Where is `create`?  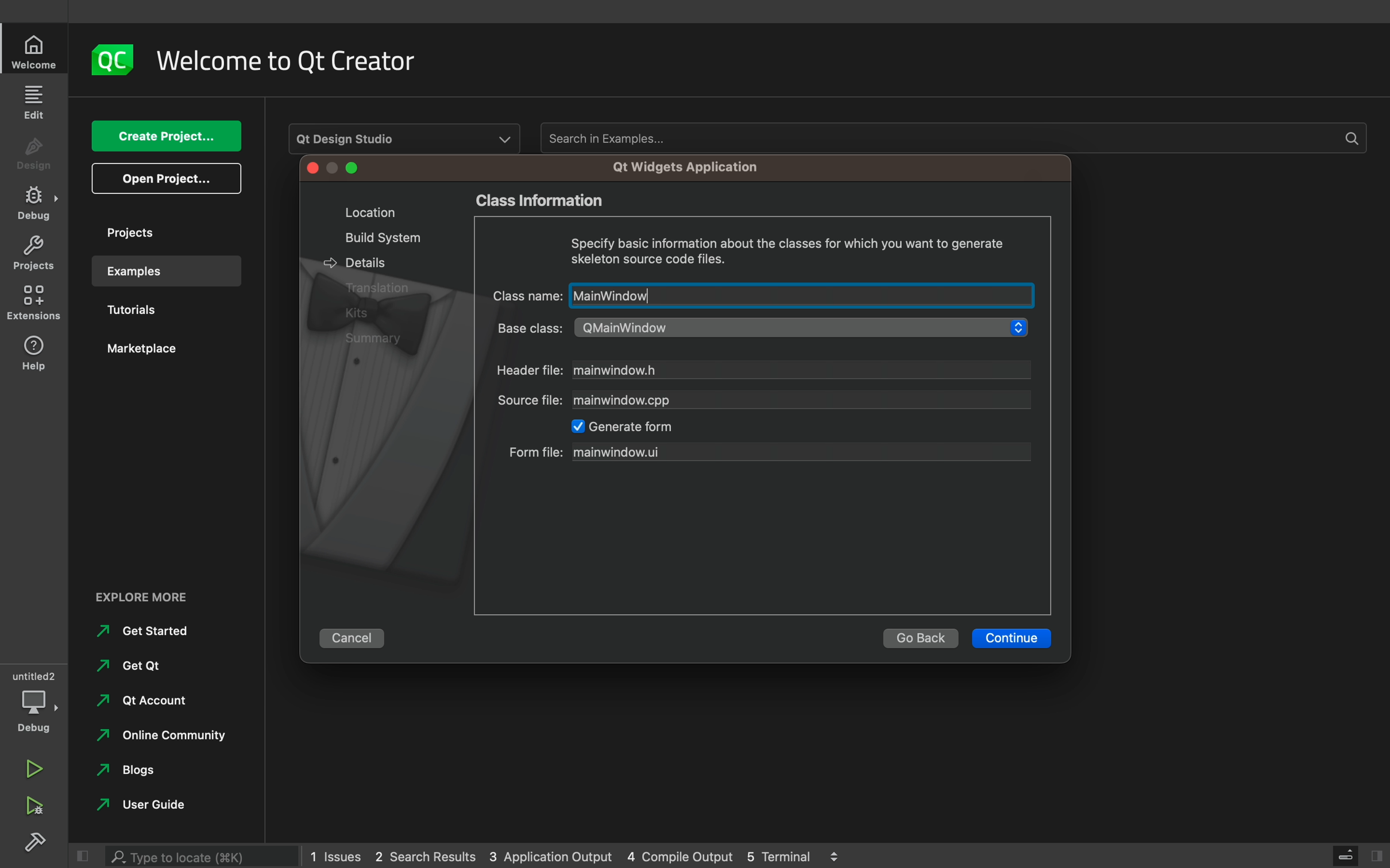
create is located at coordinates (165, 137).